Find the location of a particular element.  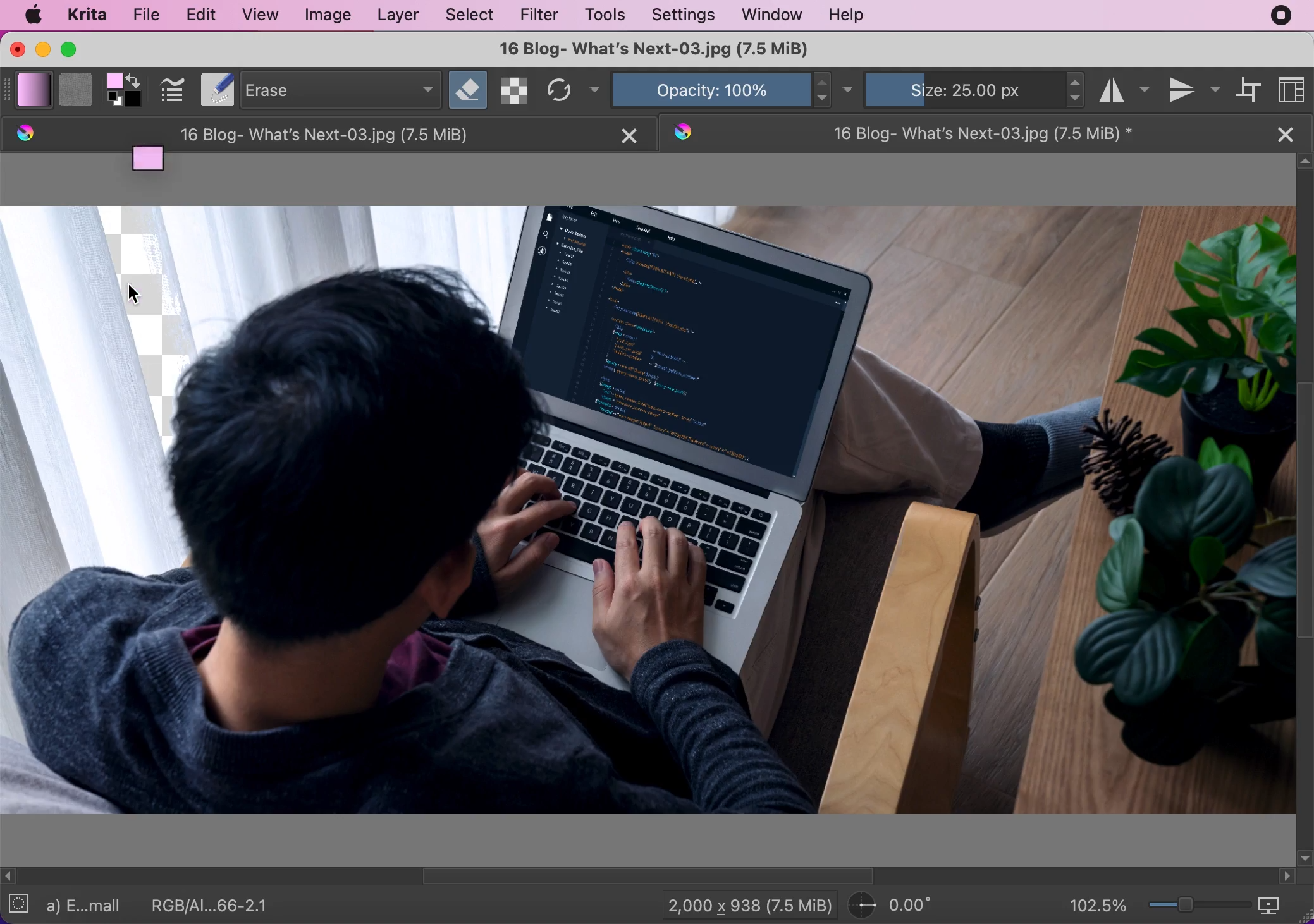

recording stopped is located at coordinates (1283, 15).